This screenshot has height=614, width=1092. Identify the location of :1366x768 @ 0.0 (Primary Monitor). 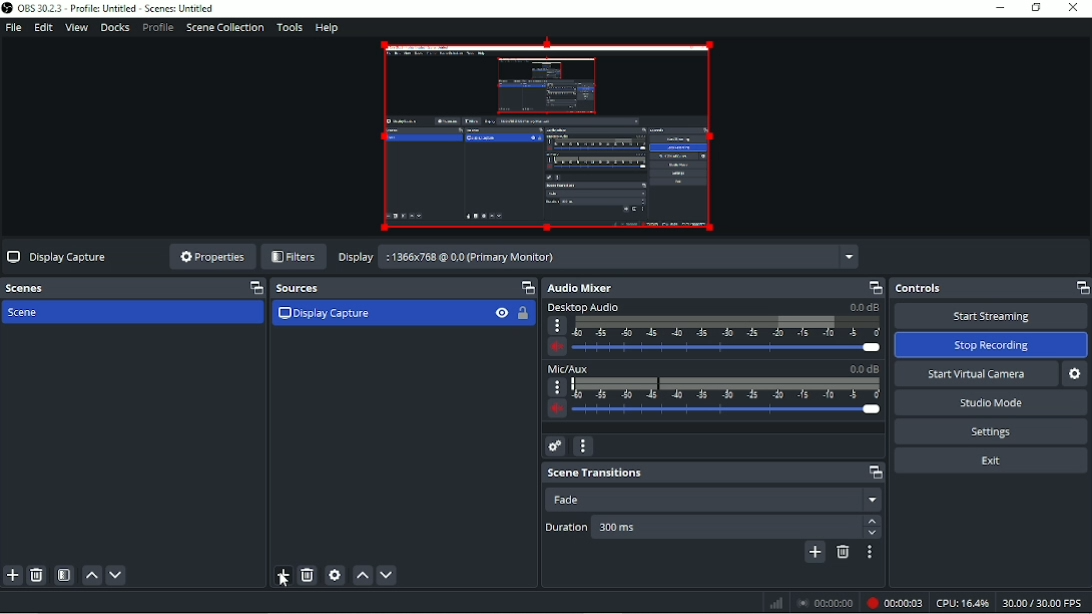
(620, 256).